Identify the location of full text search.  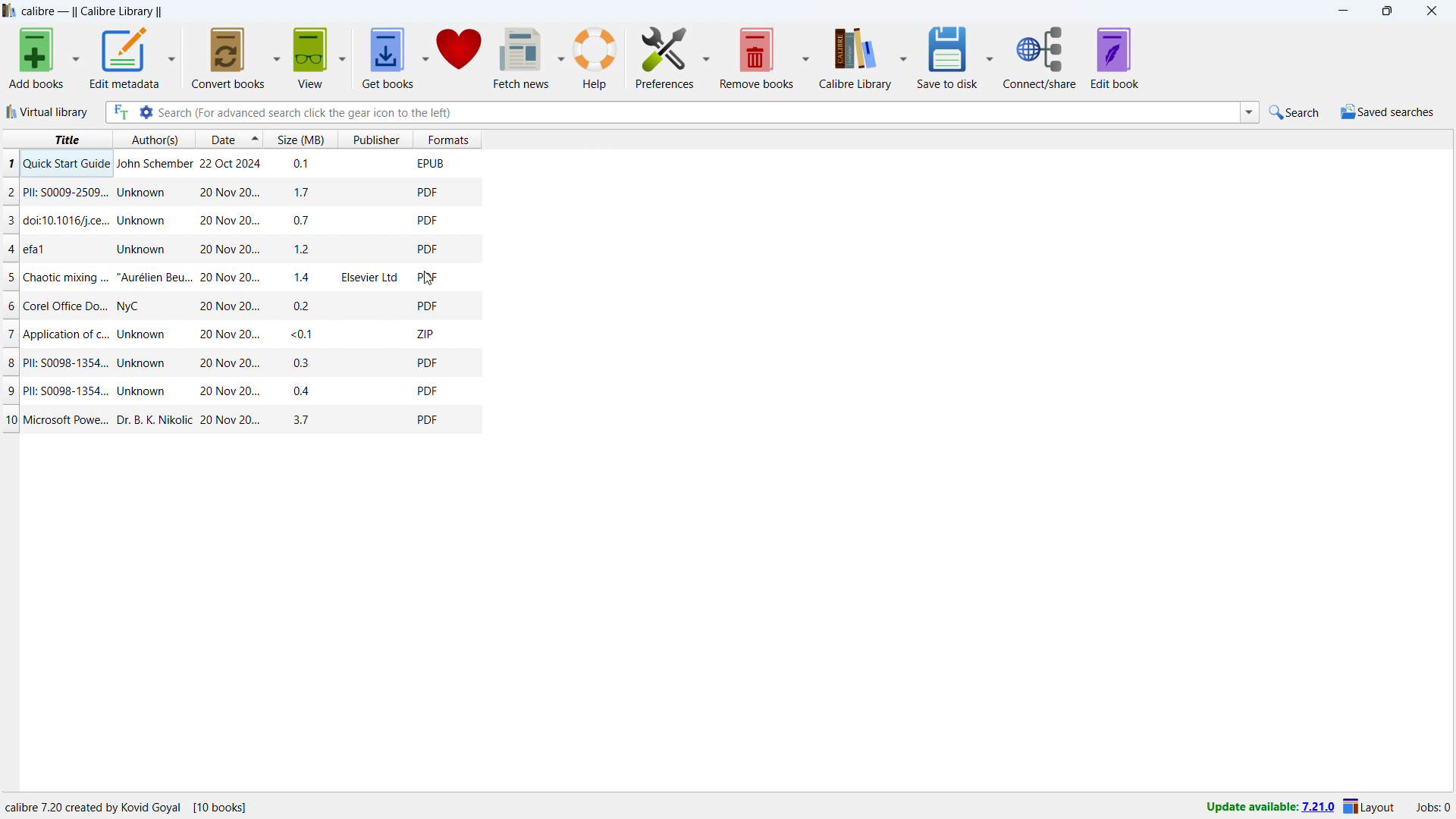
(121, 112).